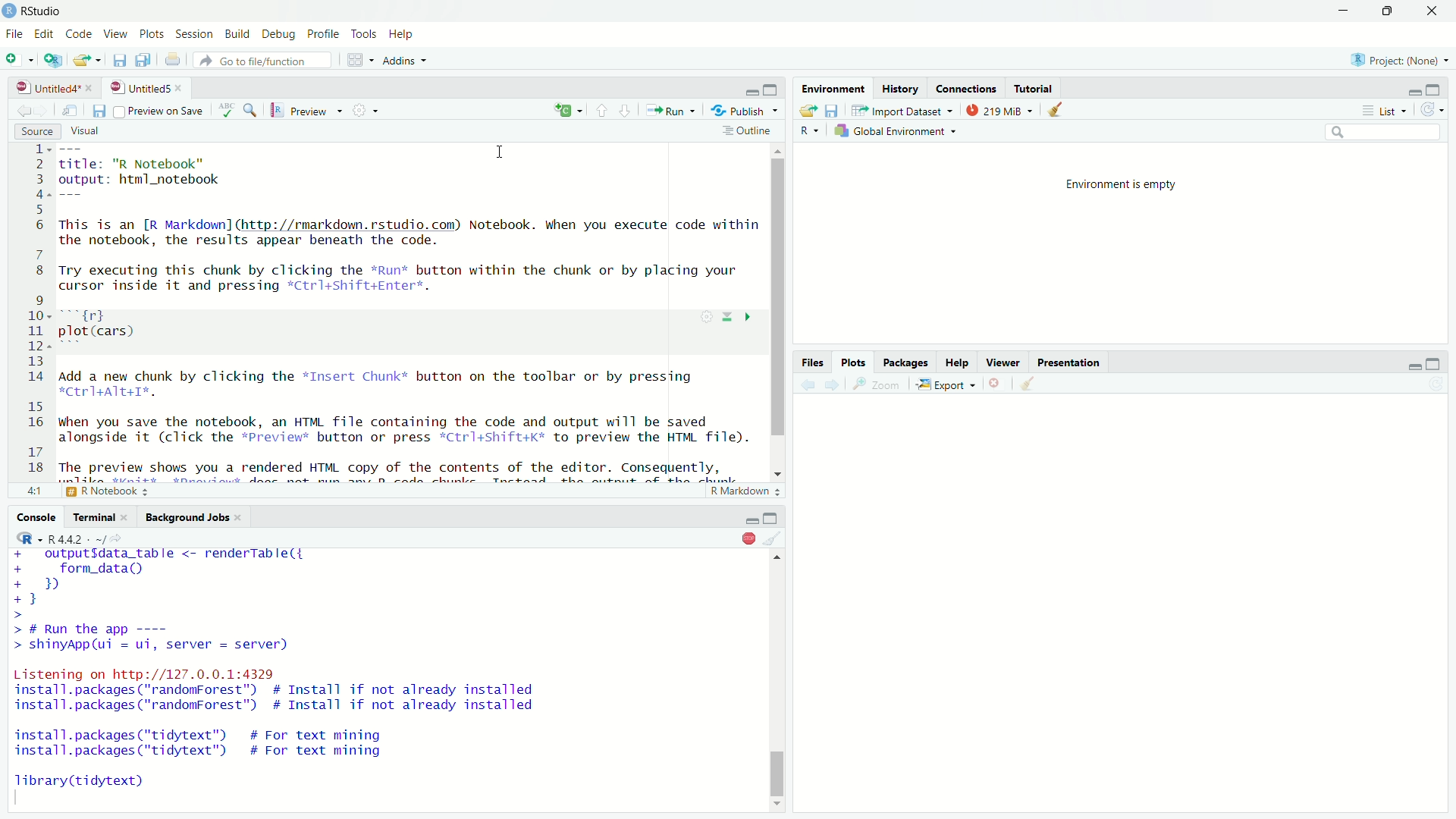 Image resolution: width=1456 pixels, height=819 pixels. What do you see at coordinates (625, 111) in the screenshot?
I see `go to next section` at bounding box center [625, 111].